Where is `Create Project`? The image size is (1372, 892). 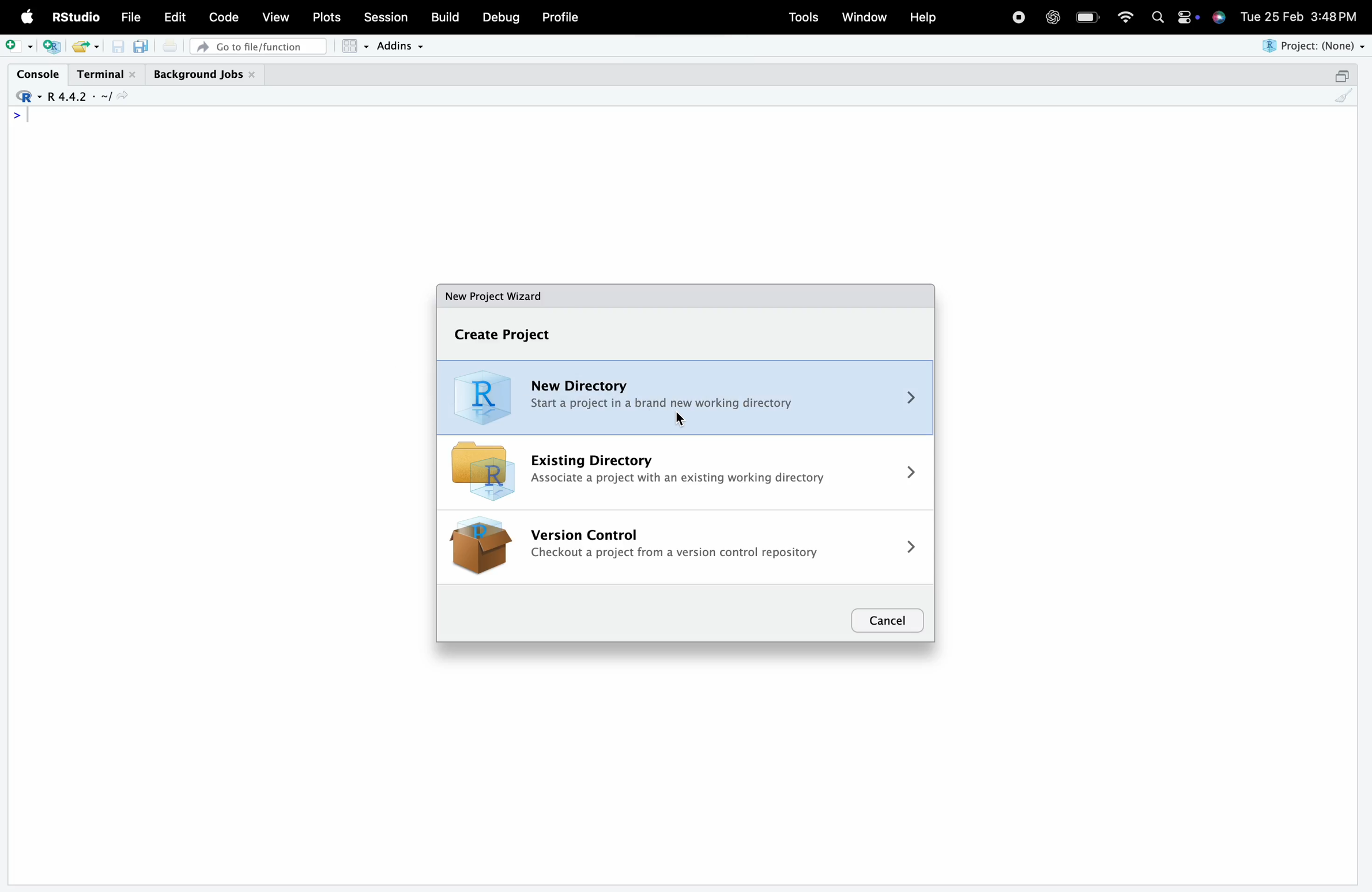
Create Project is located at coordinates (507, 331).